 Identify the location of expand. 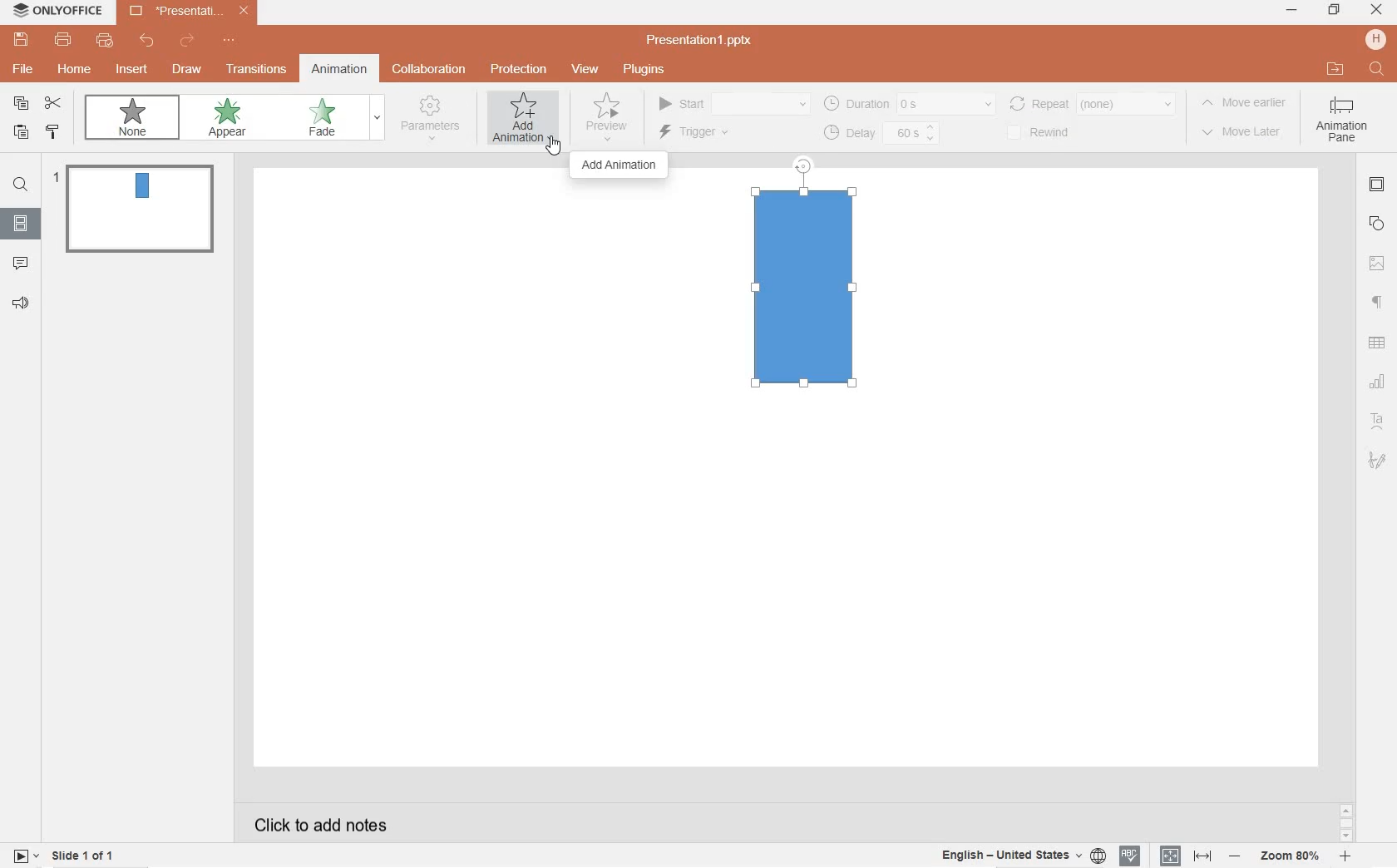
(377, 119).